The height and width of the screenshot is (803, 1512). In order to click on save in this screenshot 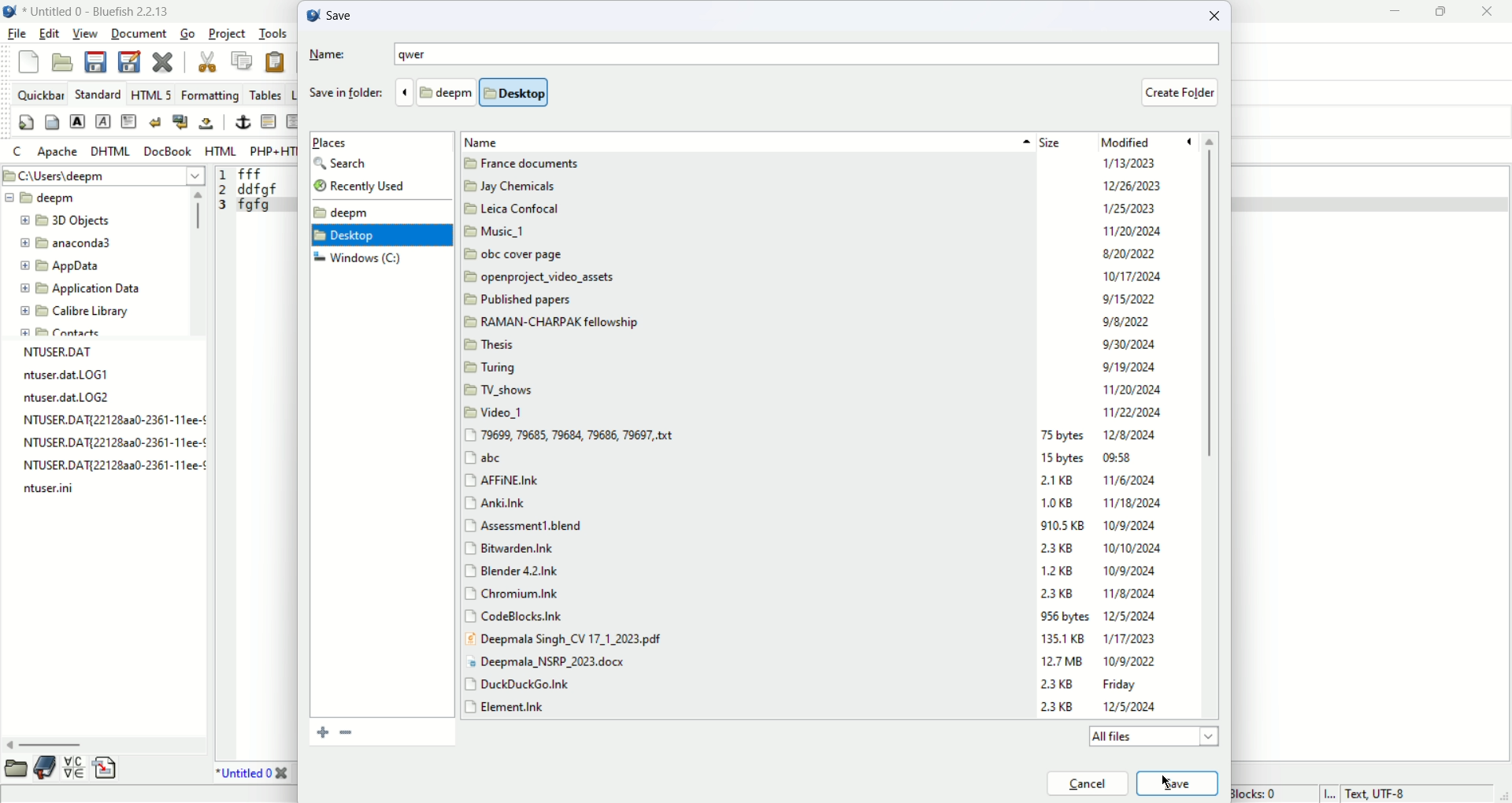, I will do `click(1178, 783)`.